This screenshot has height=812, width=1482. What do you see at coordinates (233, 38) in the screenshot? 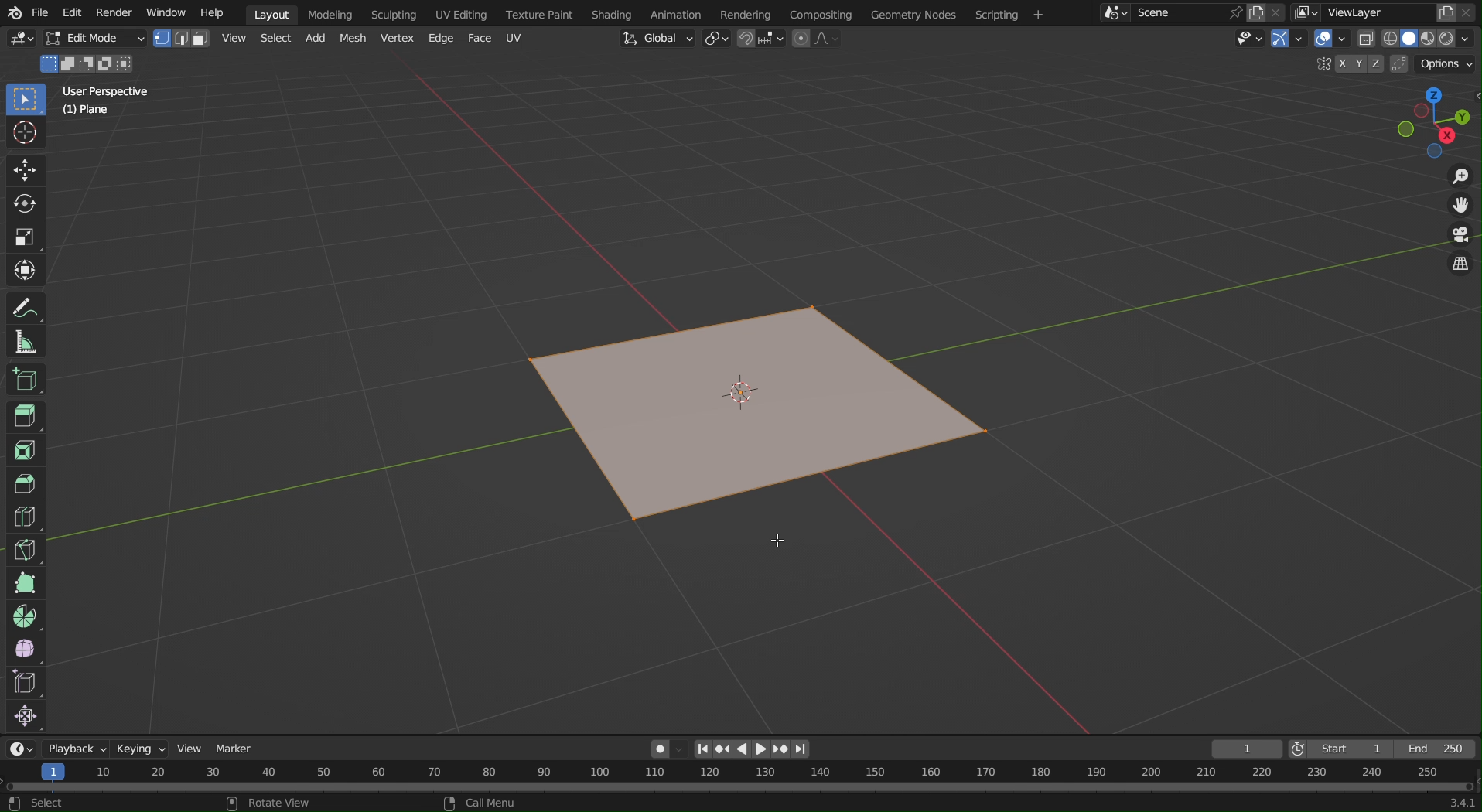
I see `View` at bounding box center [233, 38].